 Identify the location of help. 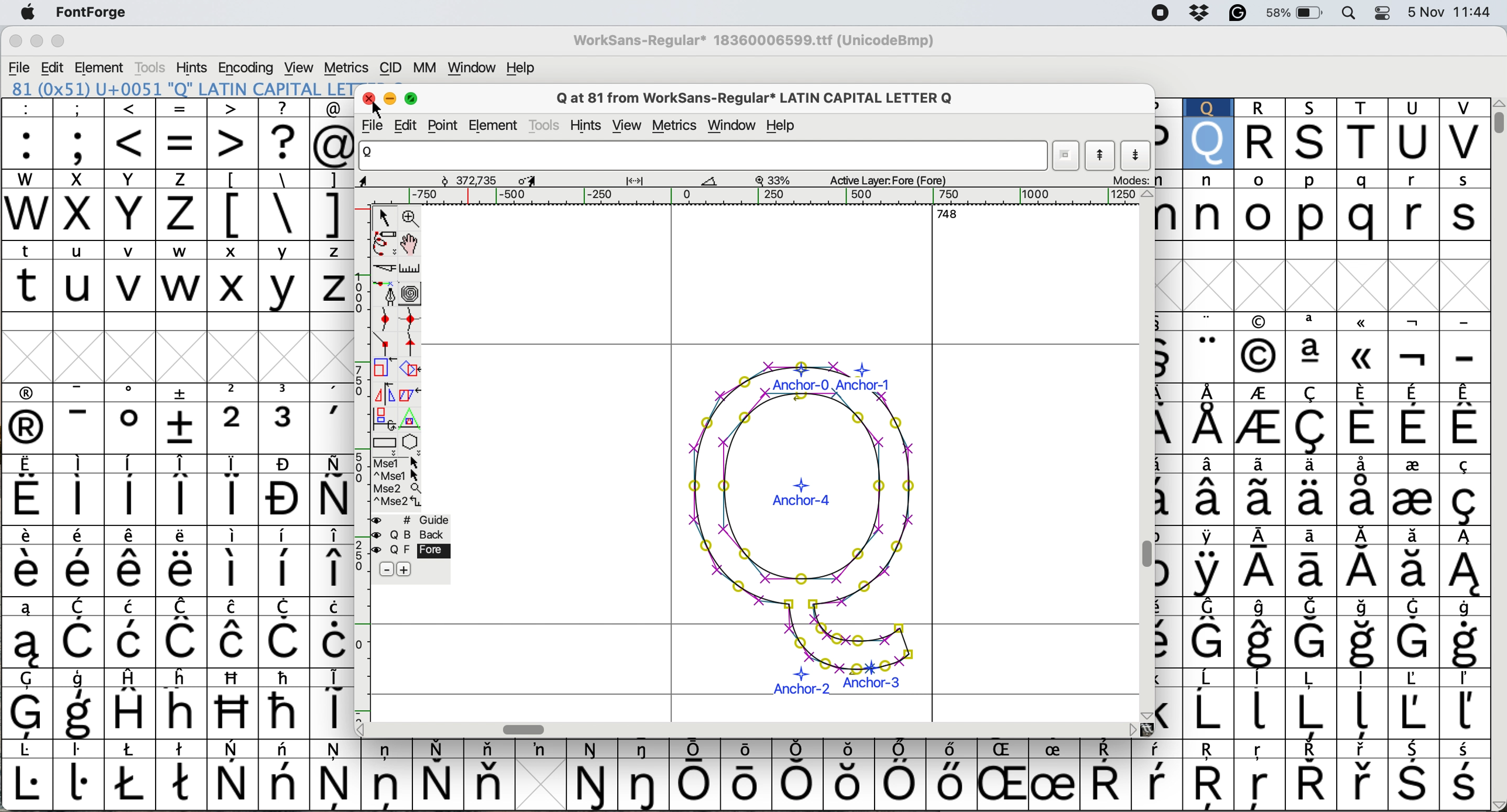
(518, 67).